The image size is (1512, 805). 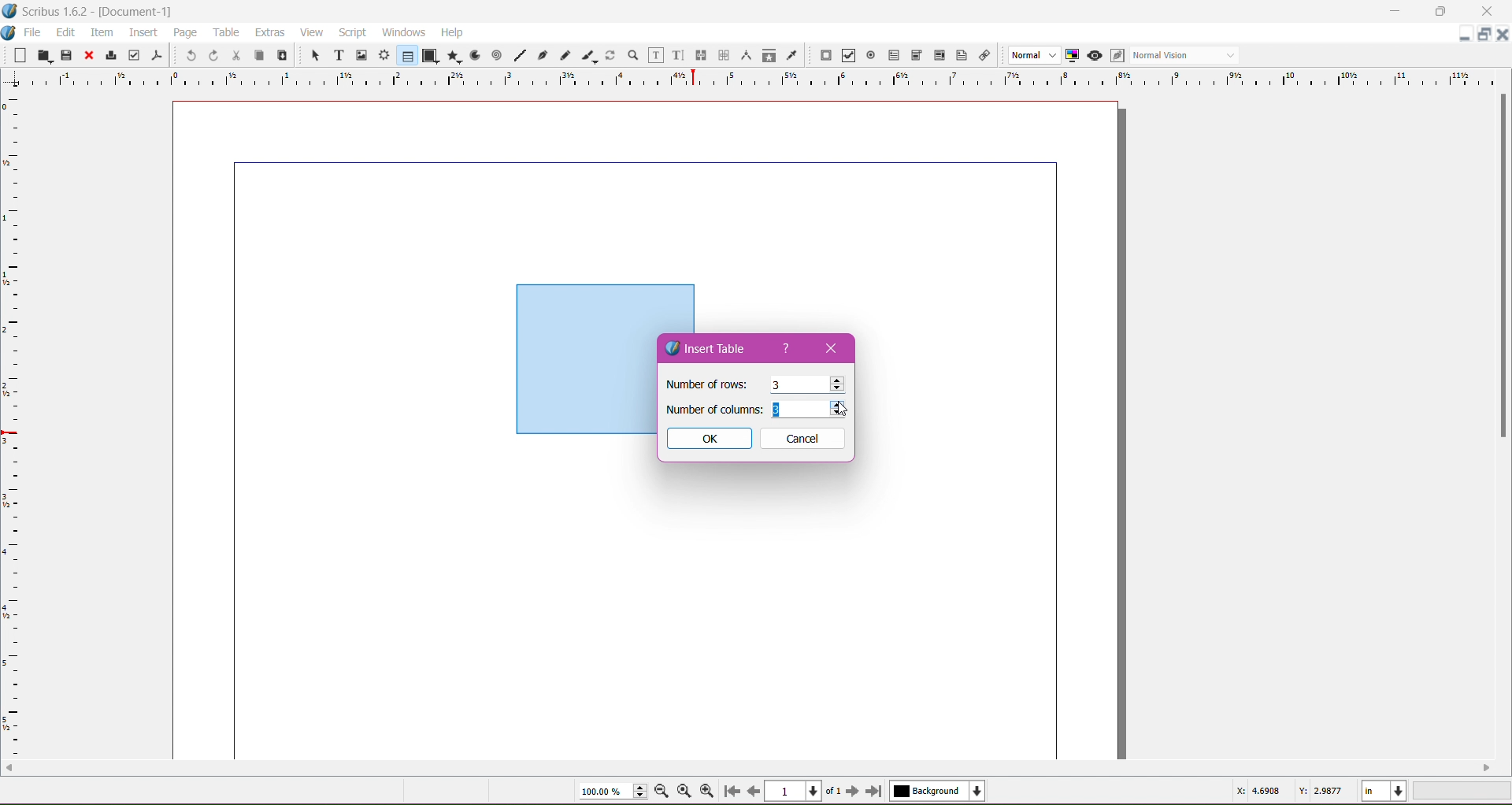 What do you see at coordinates (309, 54) in the screenshot?
I see `Select Item` at bounding box center [309, 54].